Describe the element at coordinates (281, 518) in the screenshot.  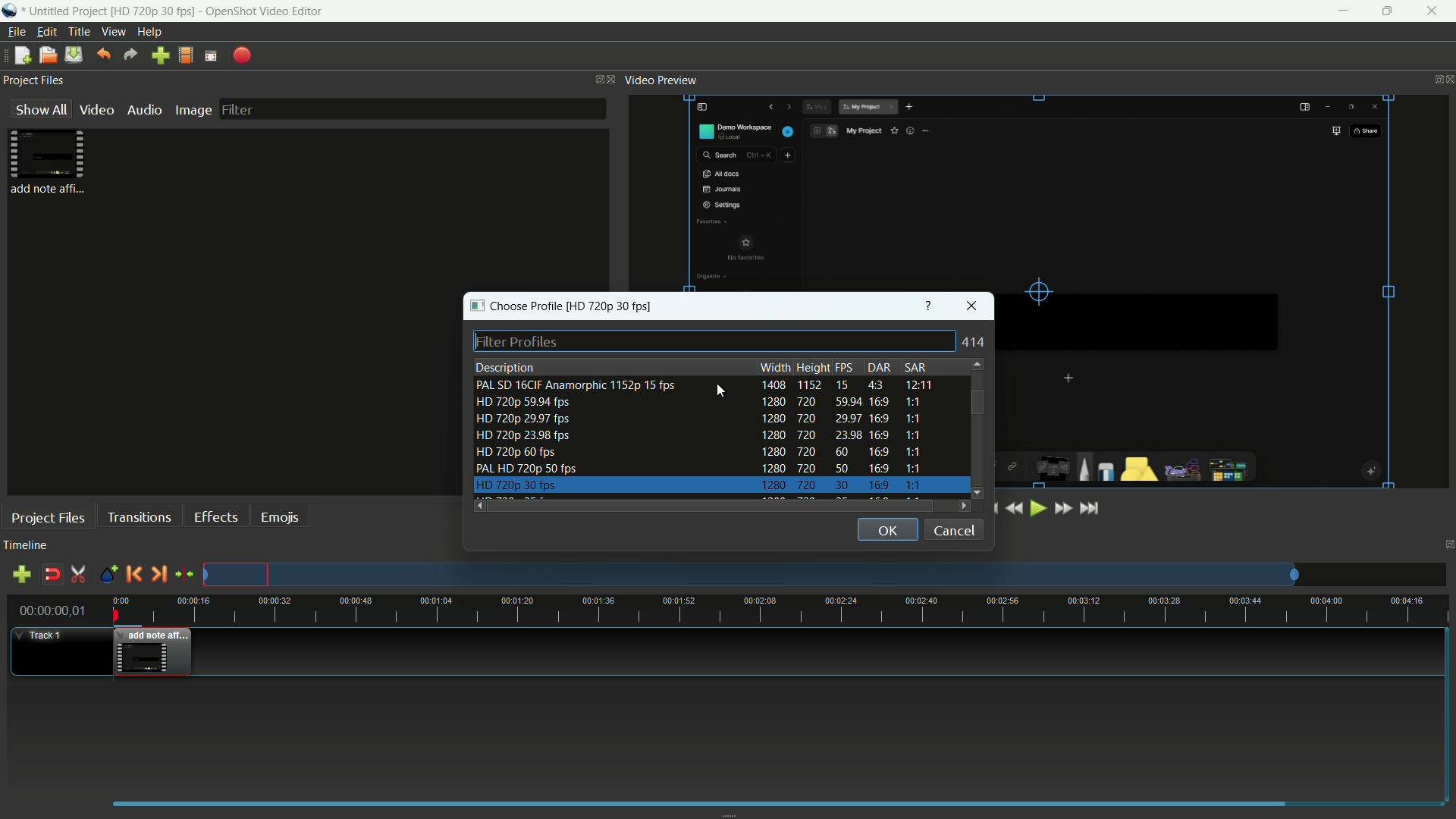
I see `emojis` at that location.